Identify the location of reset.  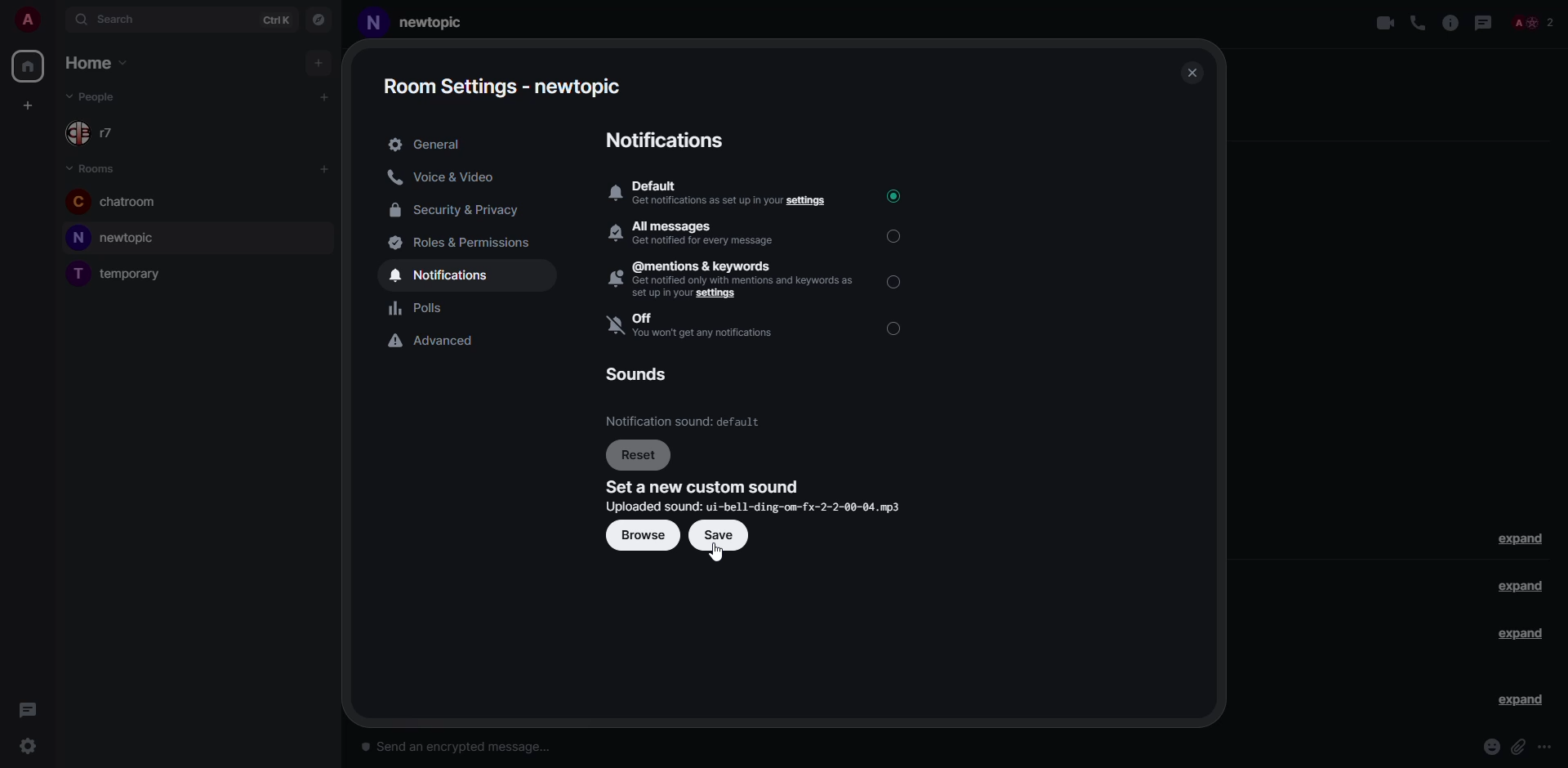
(639, 456).